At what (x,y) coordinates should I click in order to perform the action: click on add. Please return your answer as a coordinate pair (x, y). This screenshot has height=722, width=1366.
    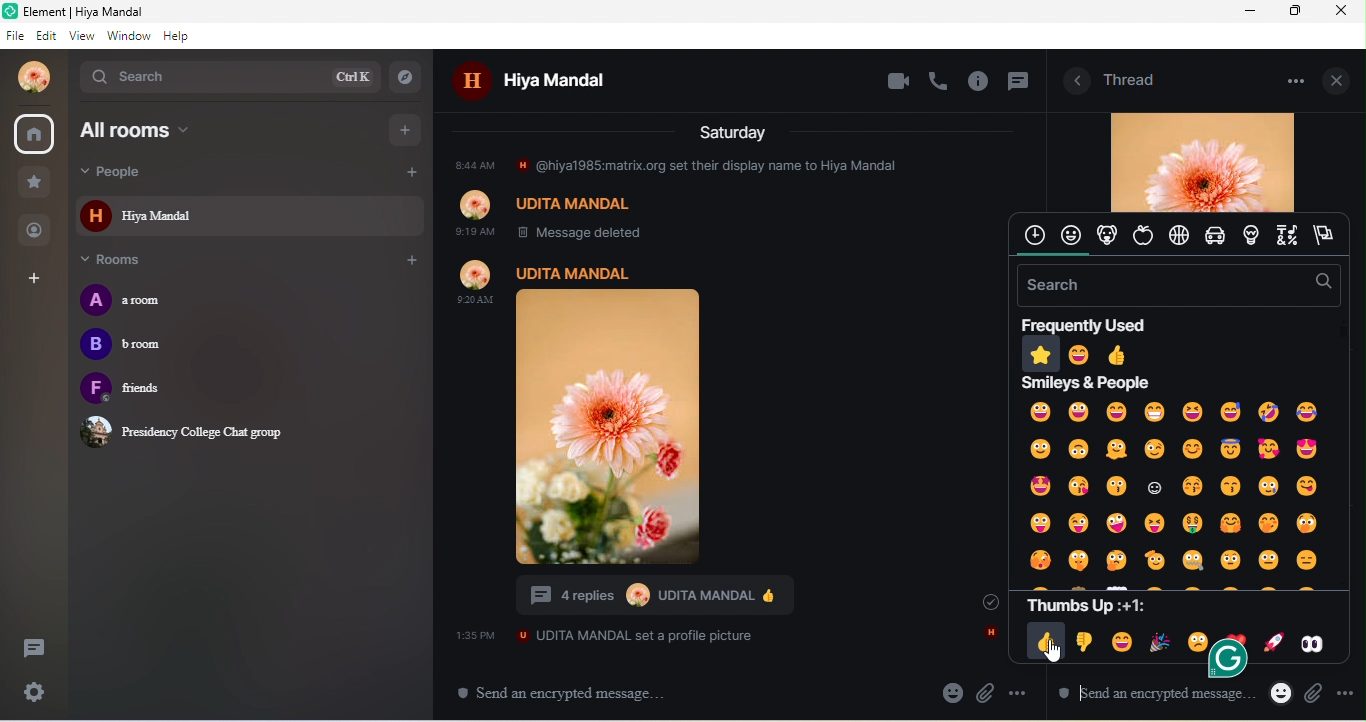
    Looking at the image, I should click on (410, 261).